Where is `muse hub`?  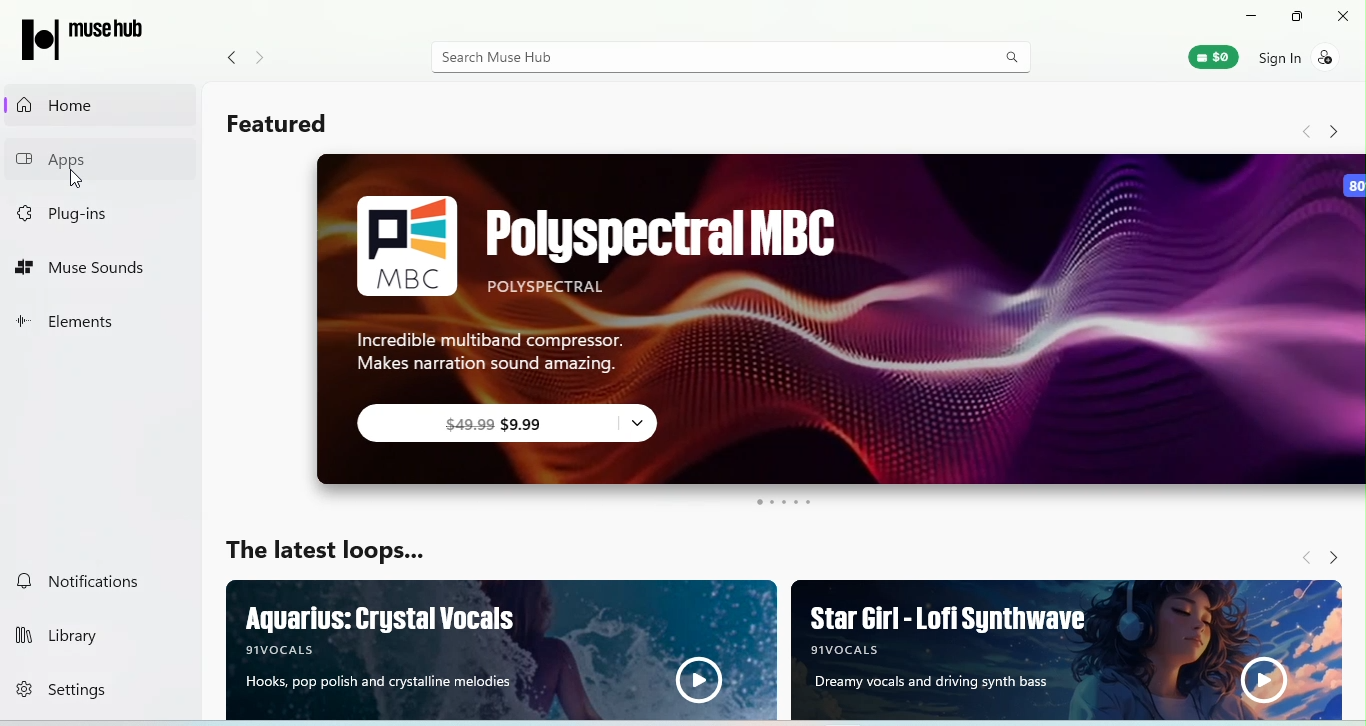 muse hub is located at coordinates (92, 39).